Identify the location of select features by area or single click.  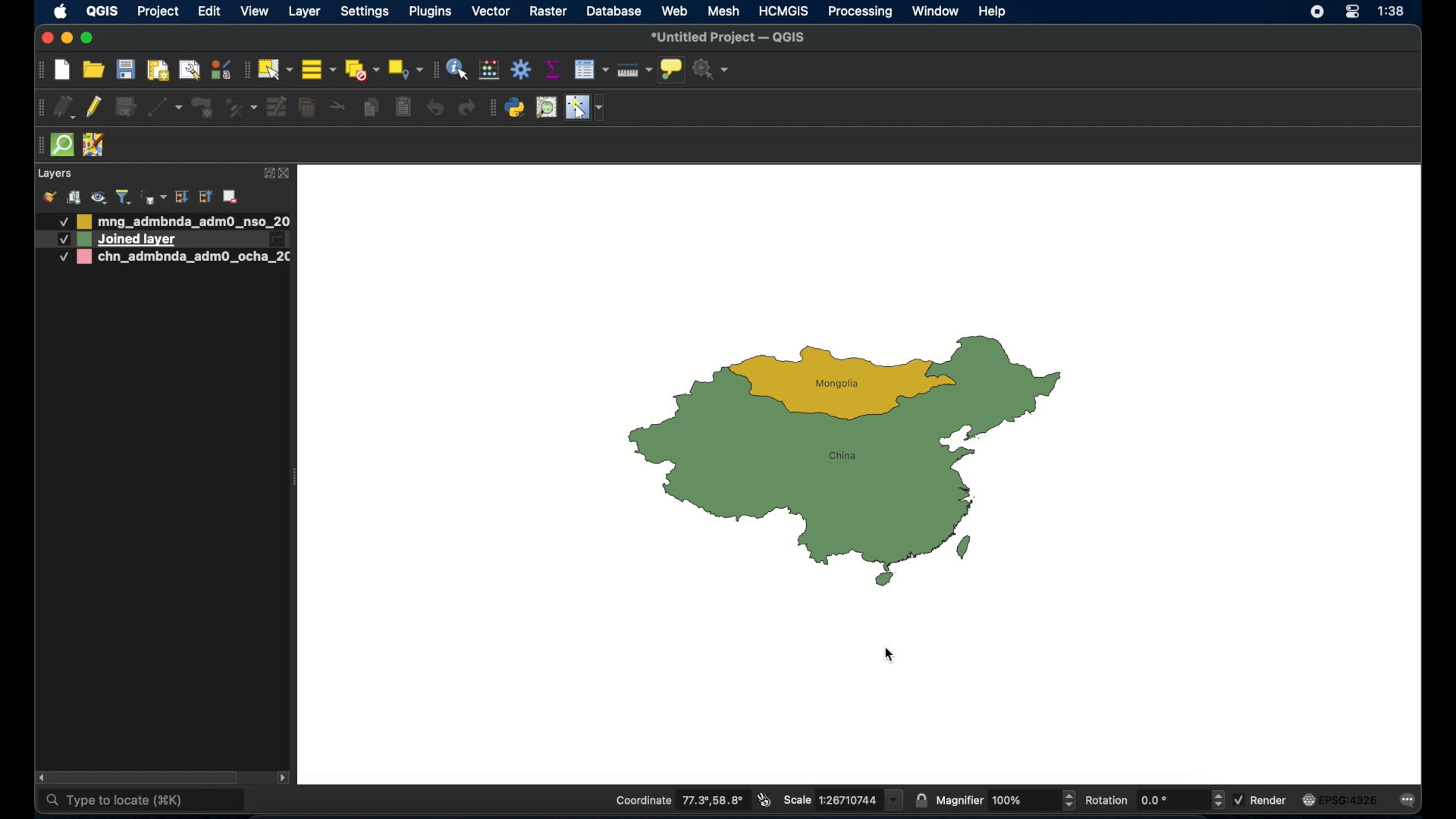
(274, 69).